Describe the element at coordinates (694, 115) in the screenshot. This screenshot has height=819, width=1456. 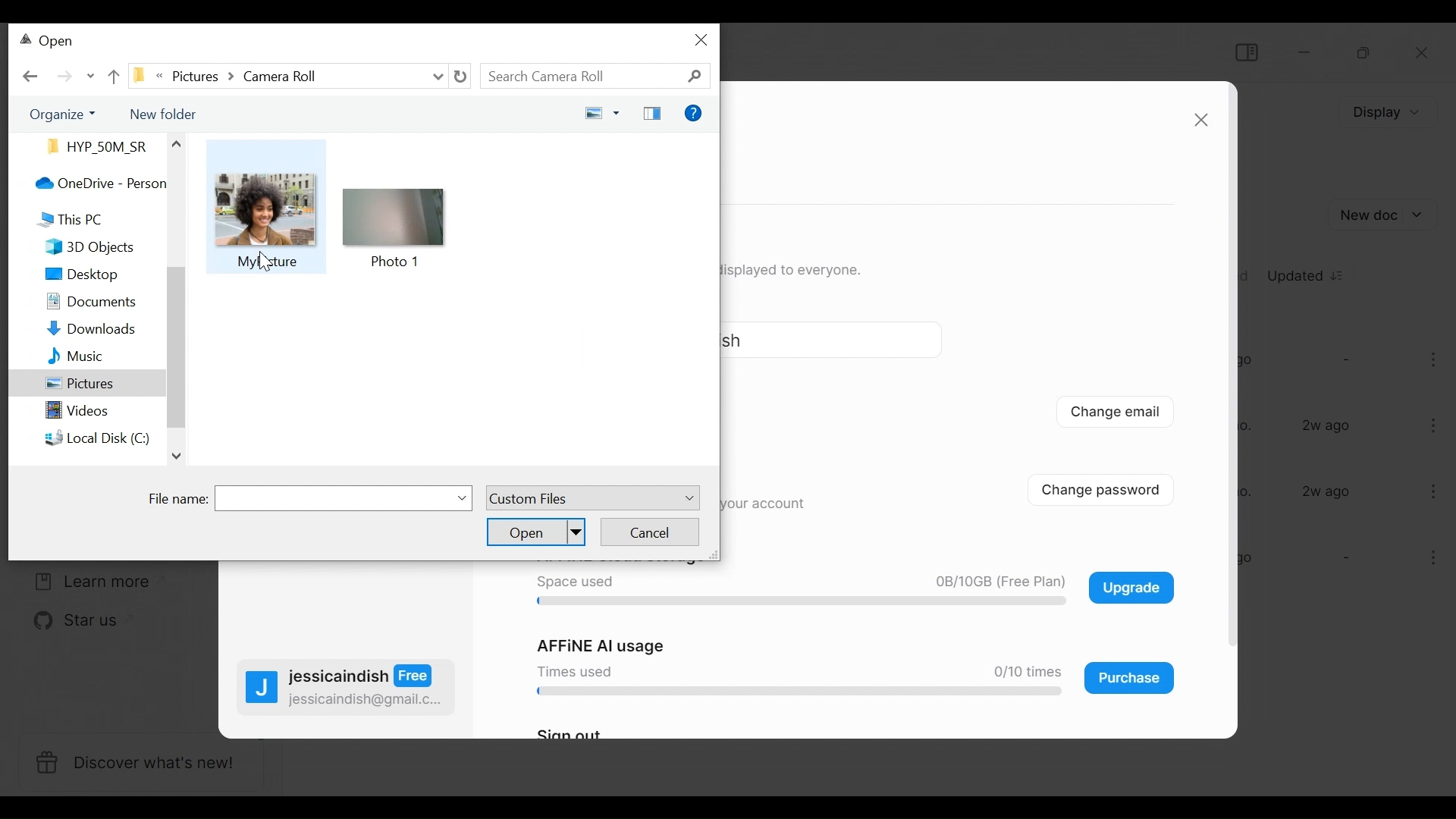
I see `Get Help` at that location.